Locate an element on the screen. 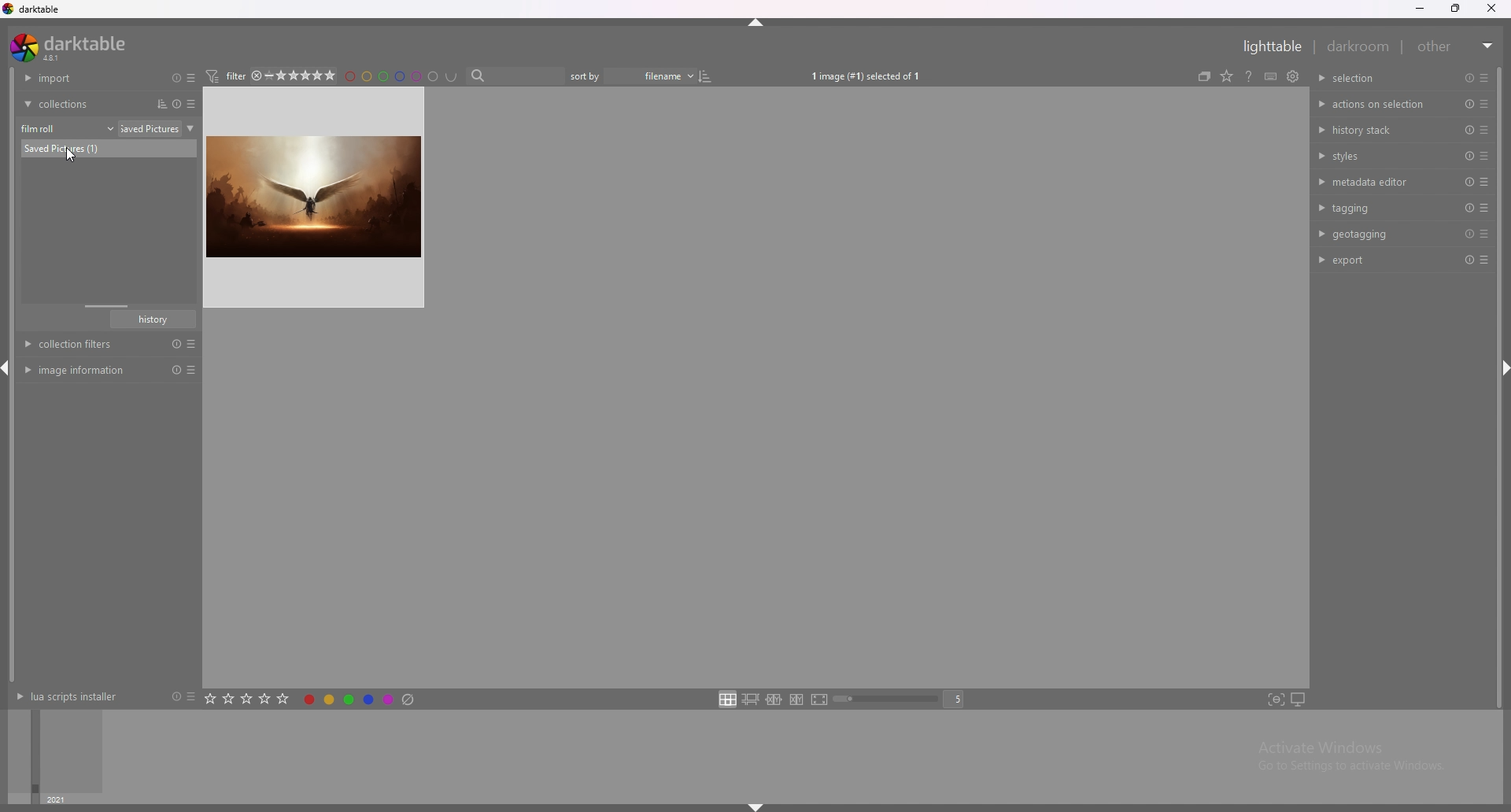 The height and width of the screenshot is (812, 1511). CURSOR is located at coordinates (79, 158).